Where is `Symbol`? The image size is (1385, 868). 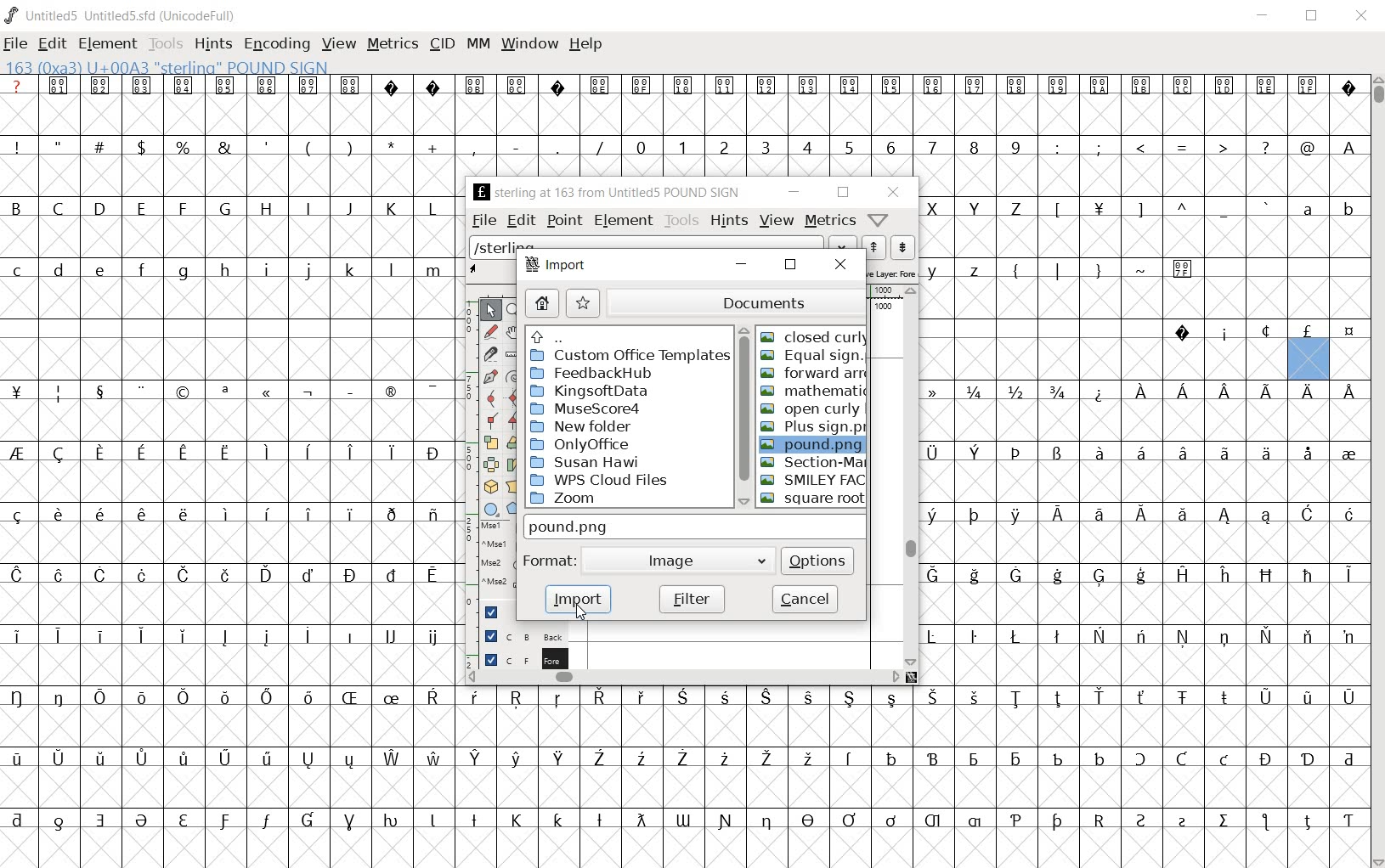 Symbol is located at coordinates (639, 820).